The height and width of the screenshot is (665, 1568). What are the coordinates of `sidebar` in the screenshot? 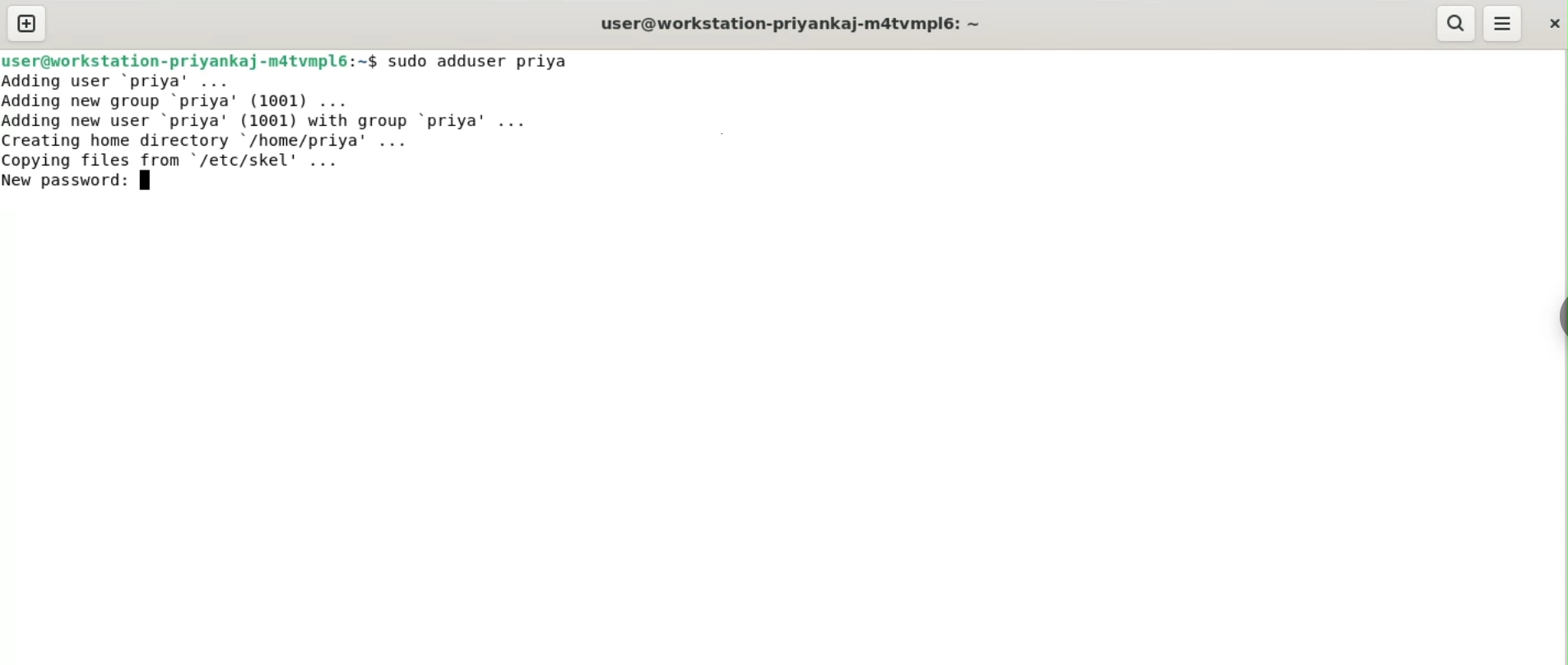 It's located at (1560, 318).